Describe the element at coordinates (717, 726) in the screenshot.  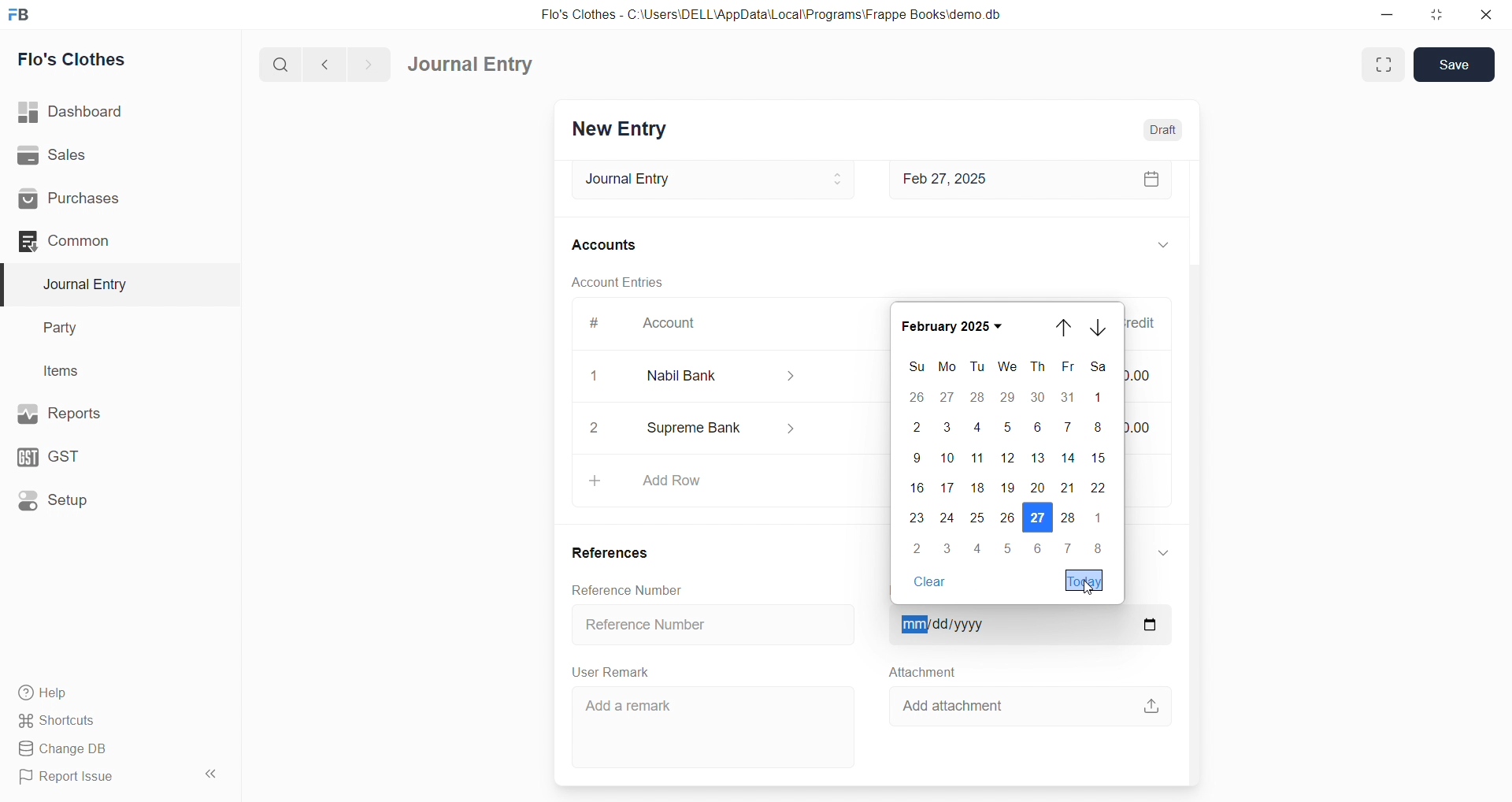
I see `Add a remark` at that location.